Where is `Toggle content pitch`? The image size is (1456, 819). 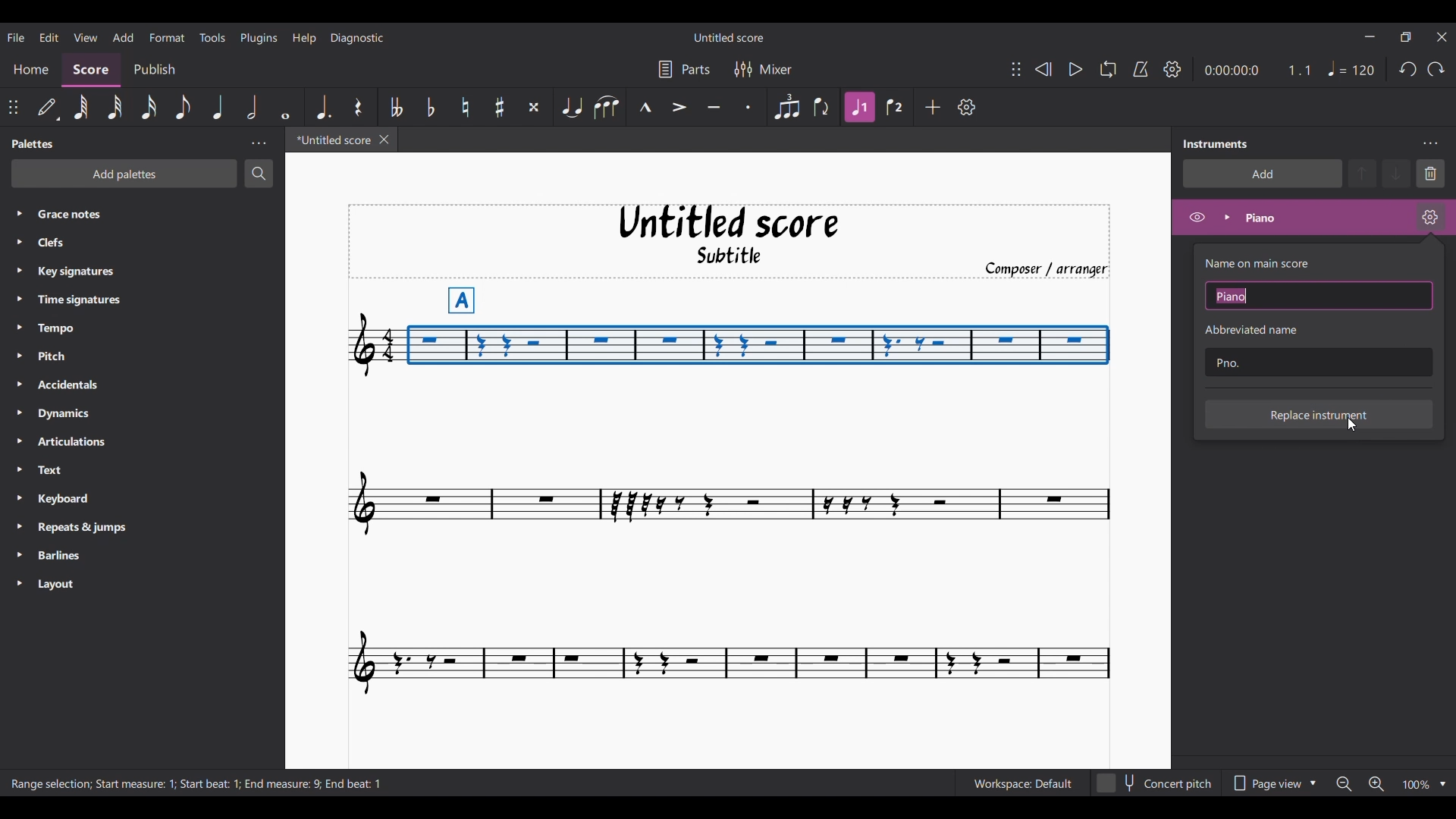 Toggle content pitch is located at coordinates (1156, 783).